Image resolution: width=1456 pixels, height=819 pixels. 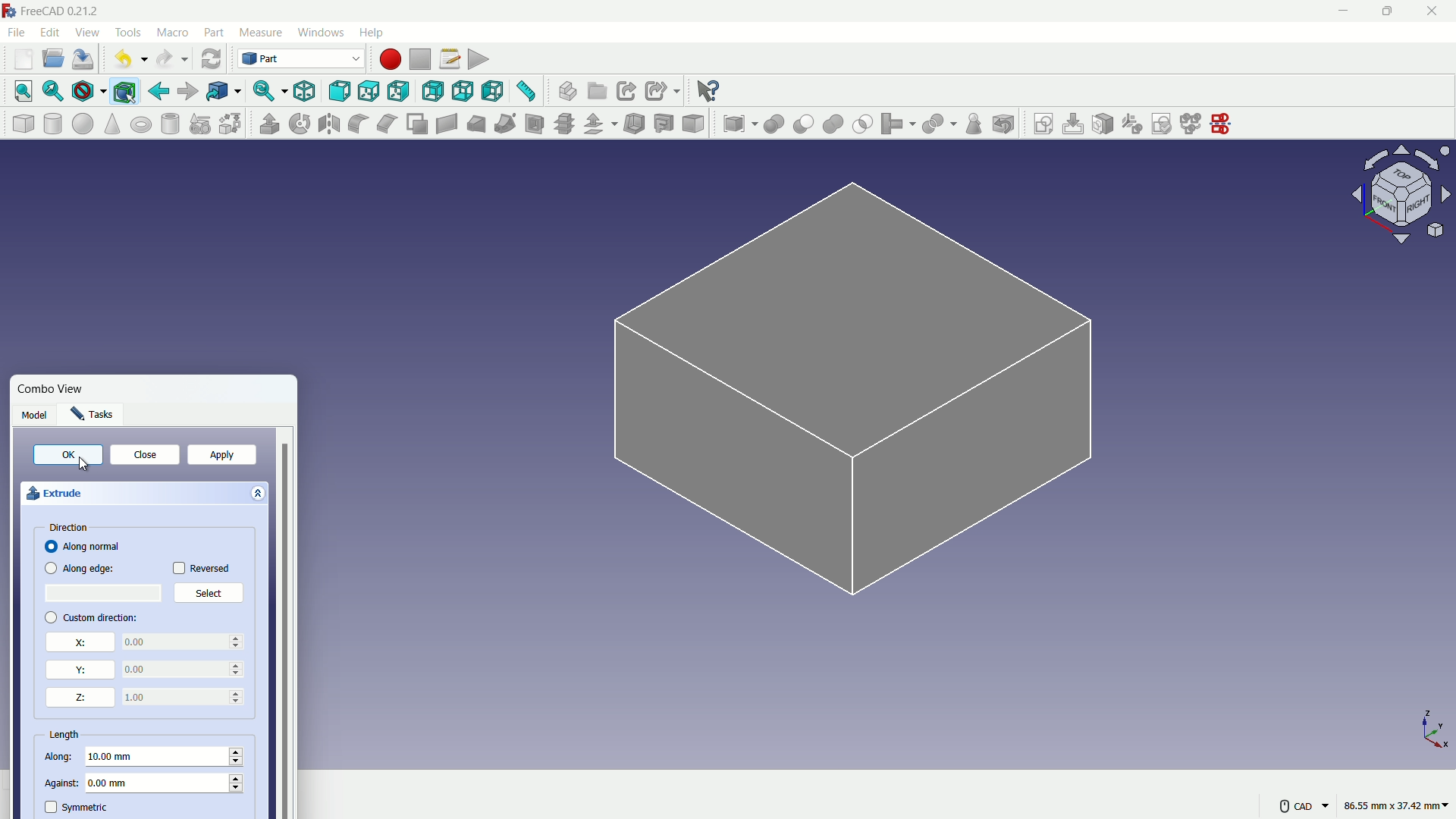 I want to click on fillet, so click(x=356, y=123).